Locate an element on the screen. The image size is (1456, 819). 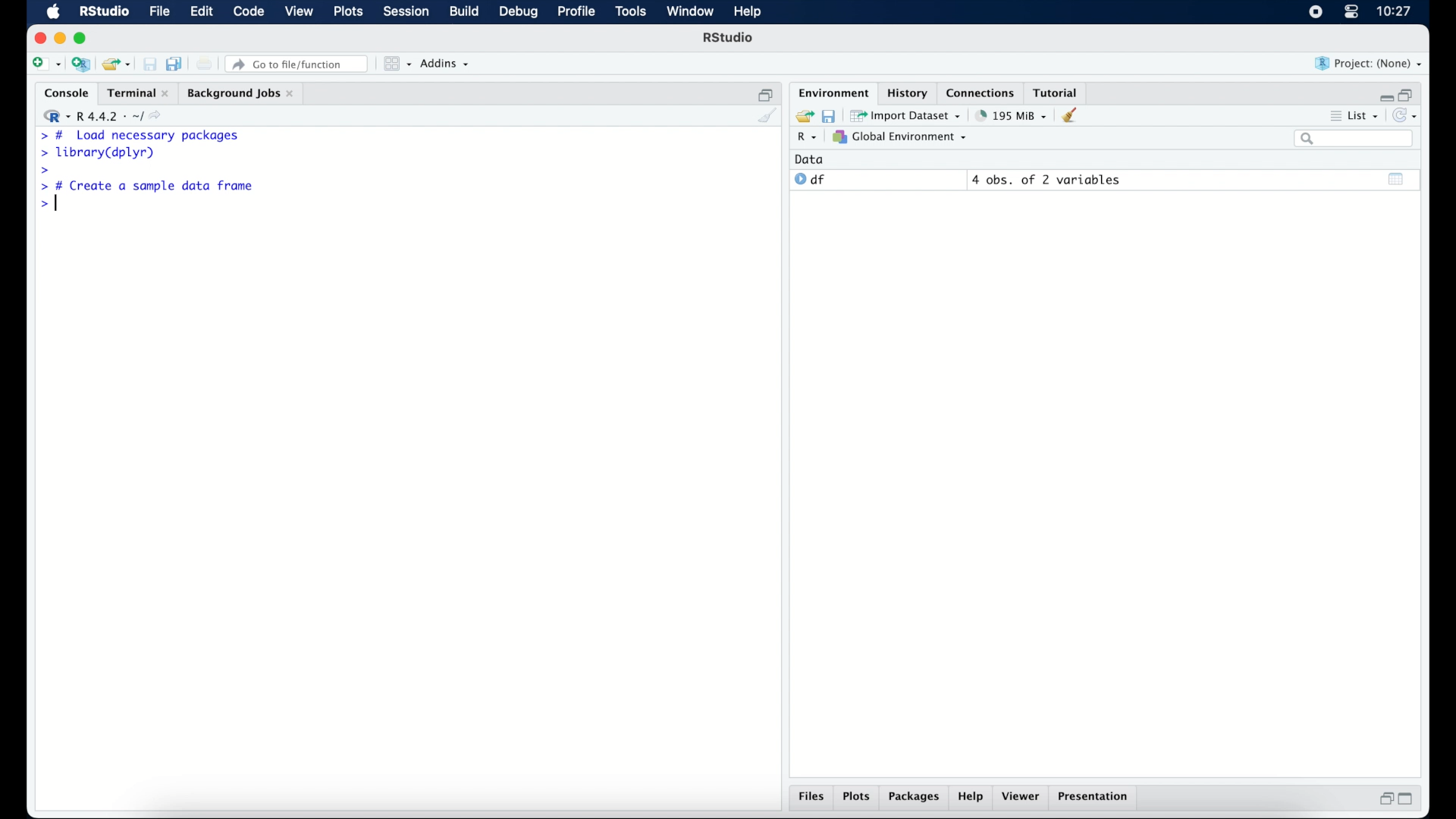
show output  window is located at coordinates (1397, 178).